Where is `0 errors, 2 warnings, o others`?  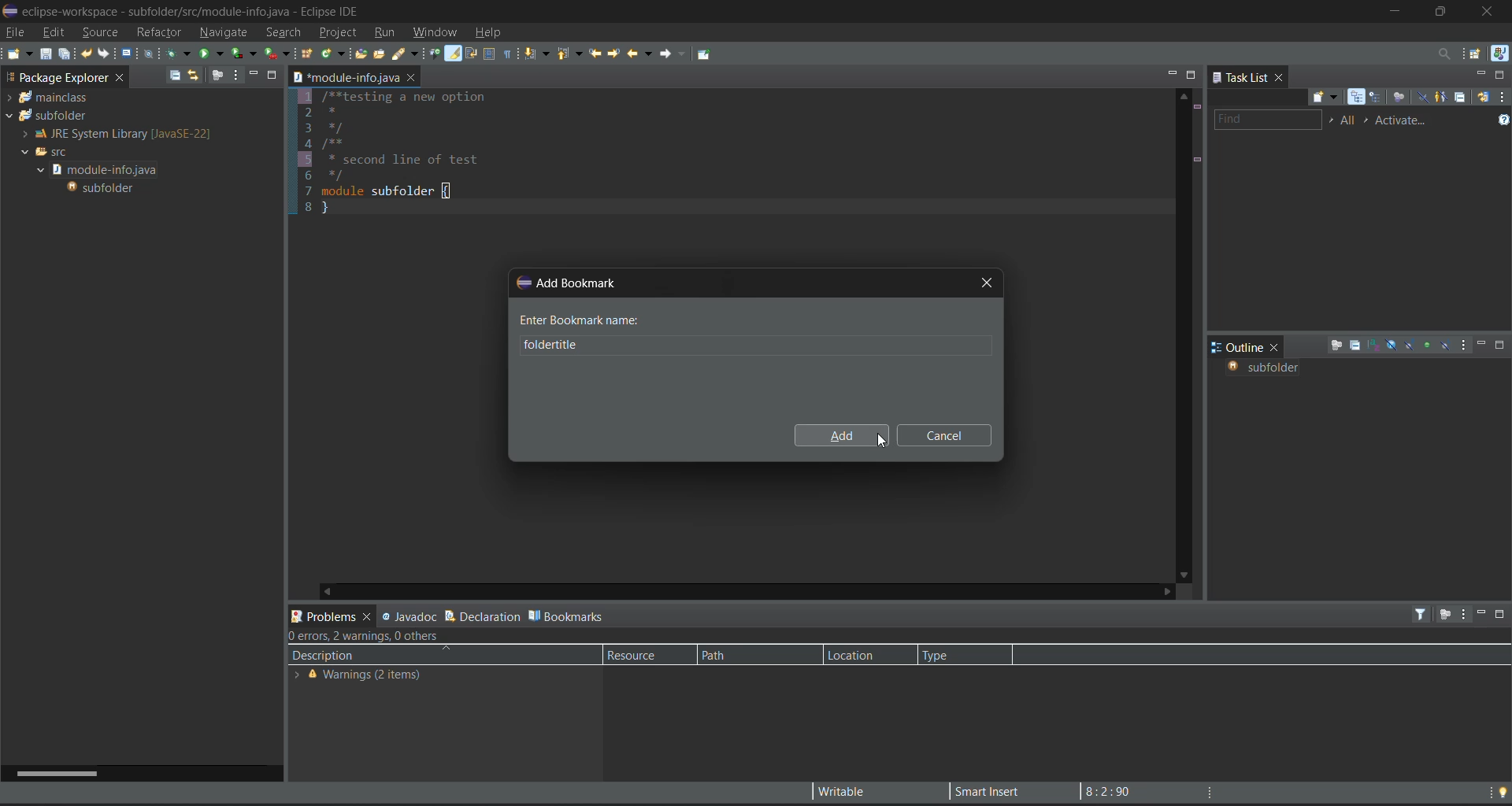
0 errors, 2 warnings, o others is located at coordinates (374, 635).